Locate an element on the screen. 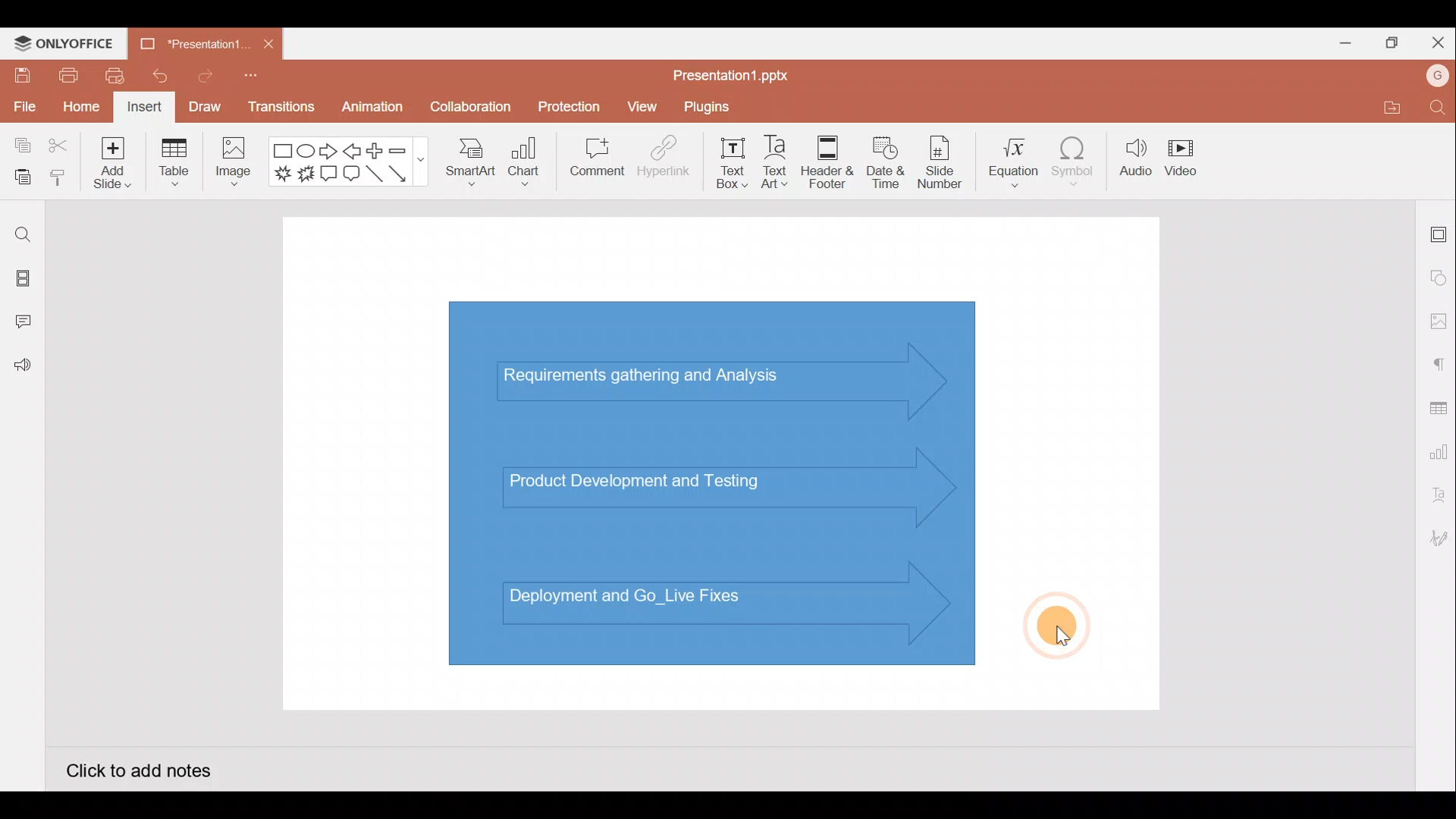 Image resolution: width=1456 pixels, height=819 pixels. Minimize is located at coordinates (1339, 40).